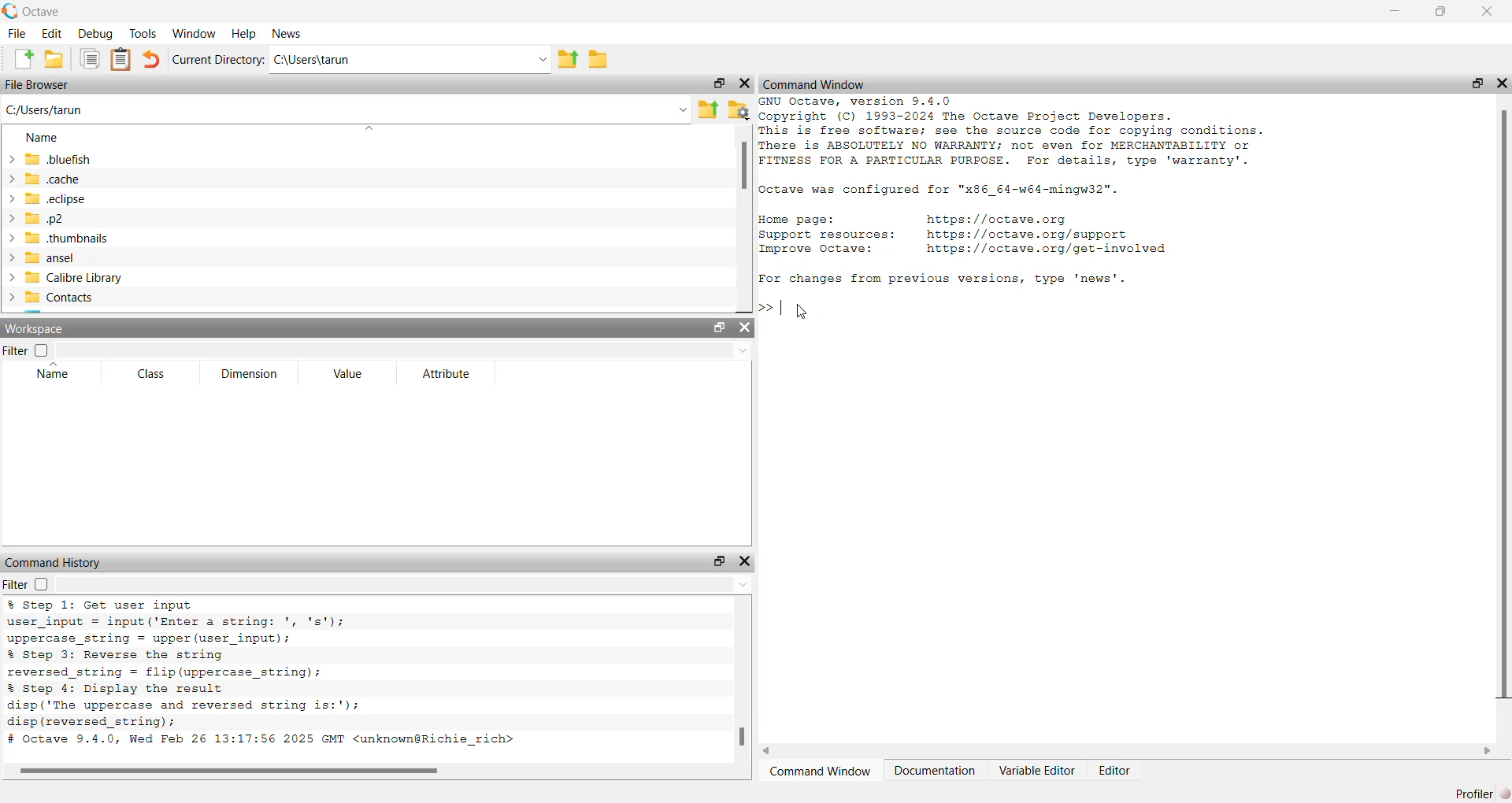 This screenshot has width=1512, height=803. What do you see at coordinates (54, 9) in the screenshot?
I see `octave` at bounding box center [54, 9].